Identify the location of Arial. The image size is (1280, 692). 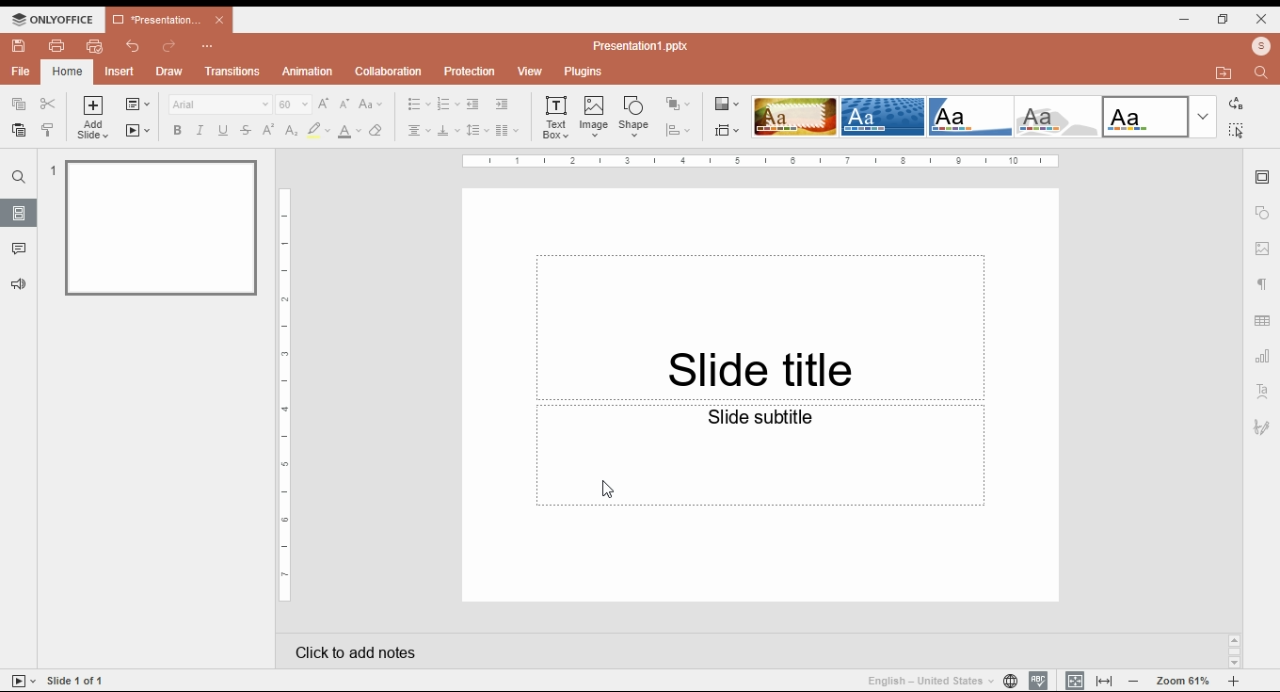
(219, 104).